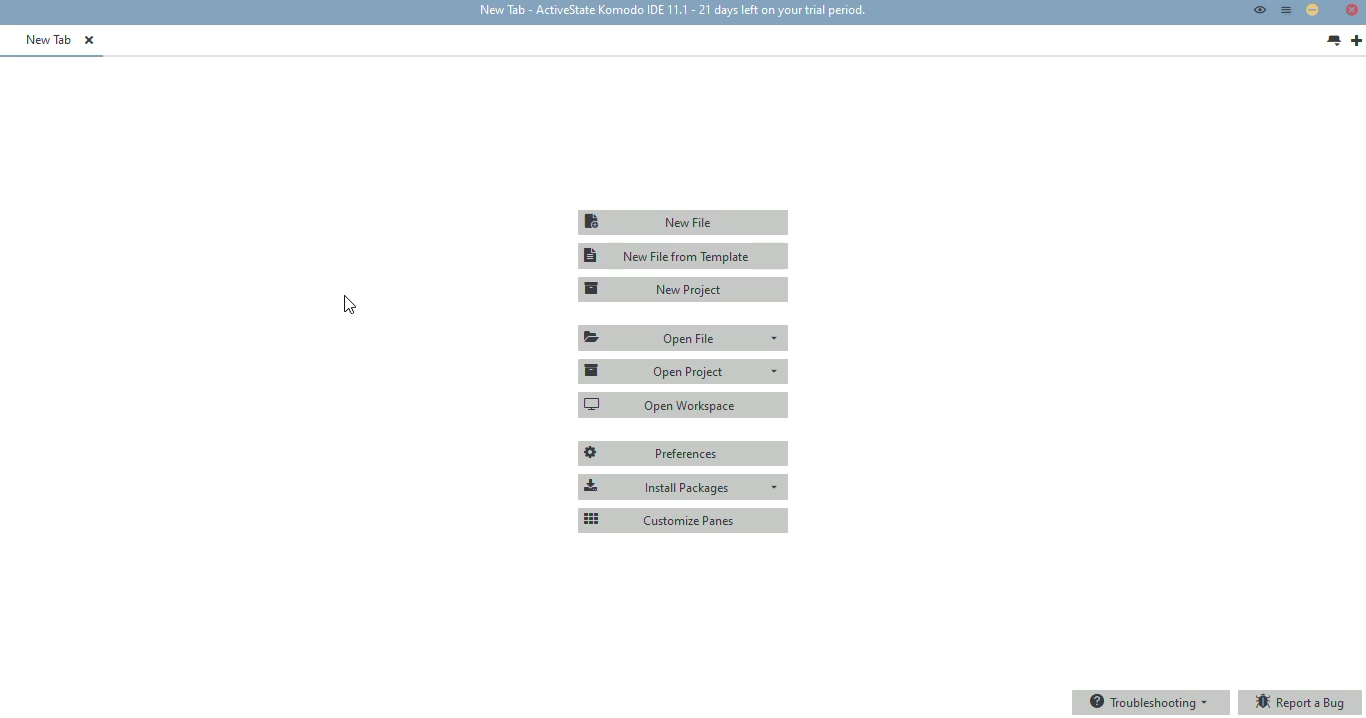  What do you see at coordinates (683, 336) in the screenshot?
I see `open file` at bounding box center [683, 336].